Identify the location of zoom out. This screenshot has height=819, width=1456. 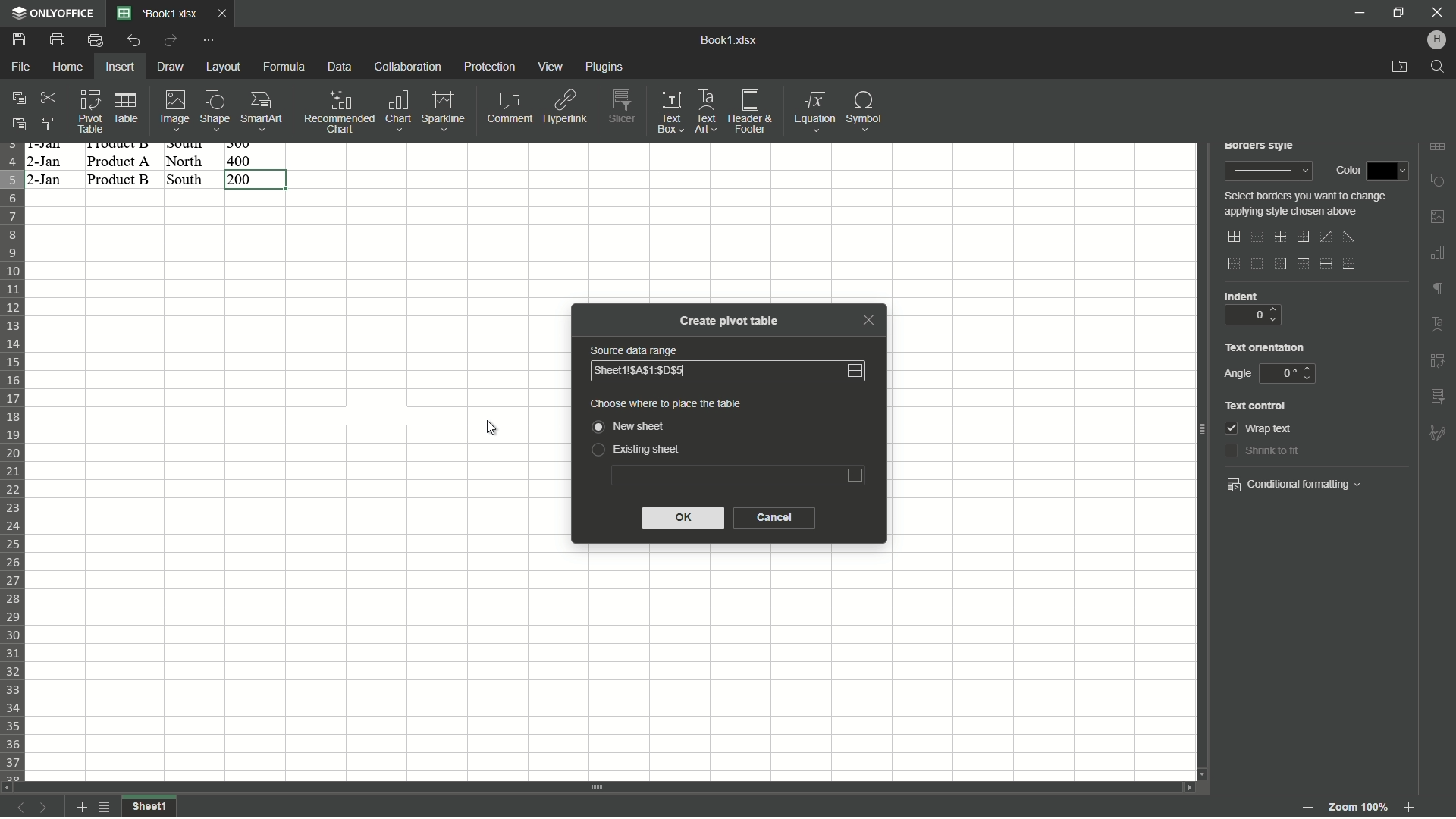
(1305, 808).